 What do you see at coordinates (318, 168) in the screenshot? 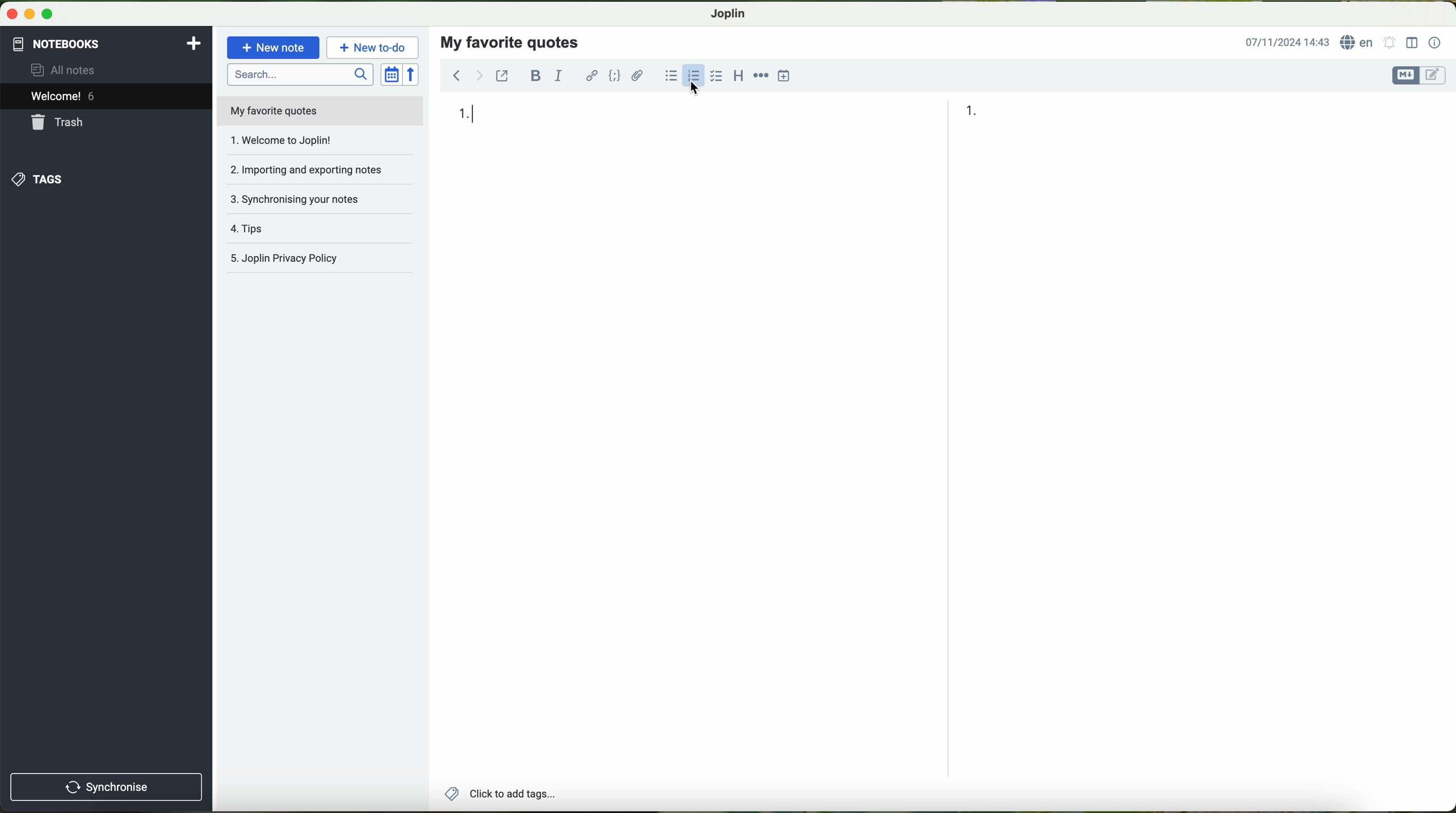
I see `importing and exporting notes` at bounding box center [318, 168].